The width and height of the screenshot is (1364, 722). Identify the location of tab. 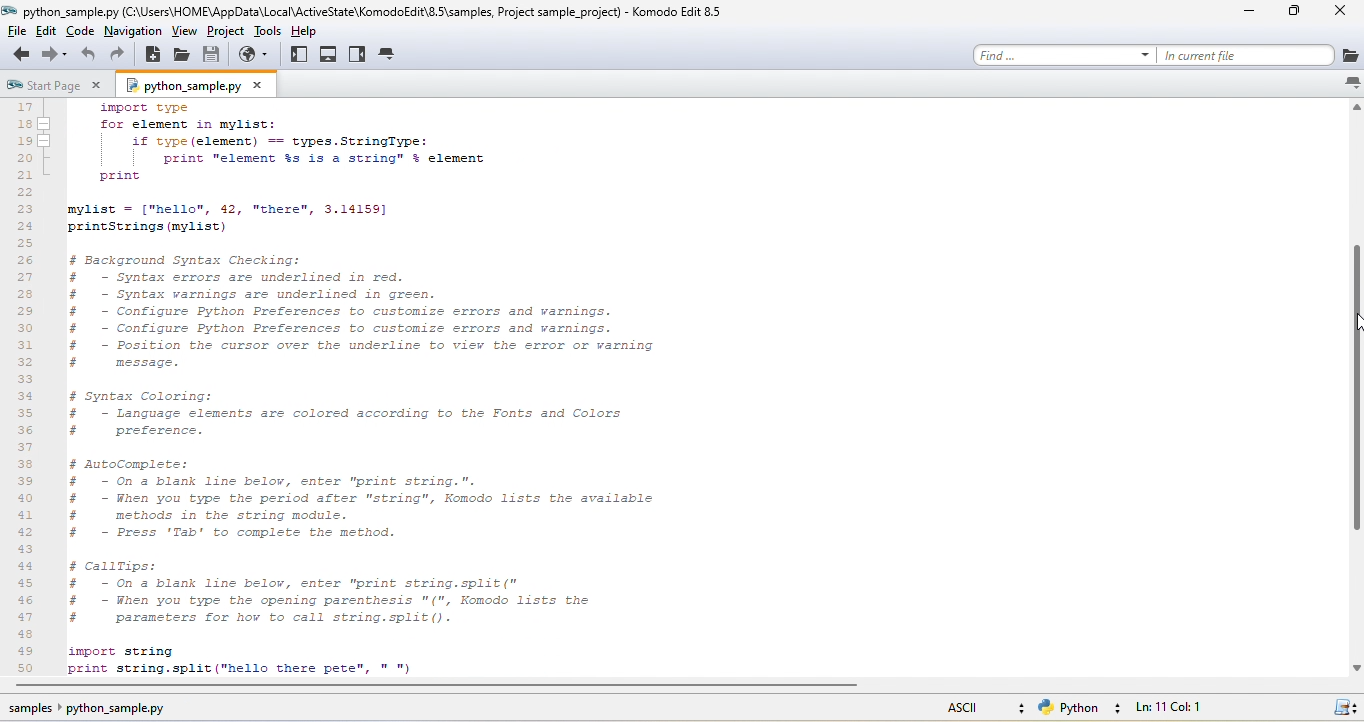
(389, 55).